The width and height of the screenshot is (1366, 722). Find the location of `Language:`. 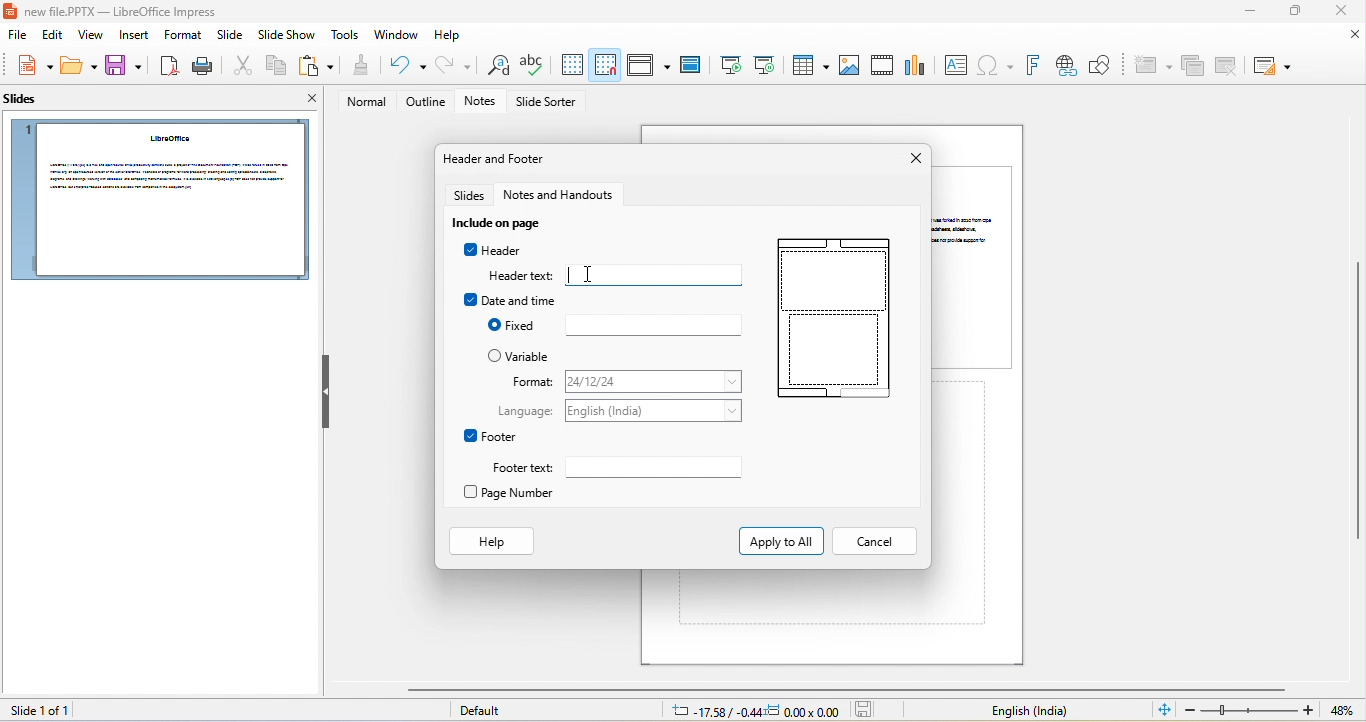

Language: is located at coordinates (527, 412).